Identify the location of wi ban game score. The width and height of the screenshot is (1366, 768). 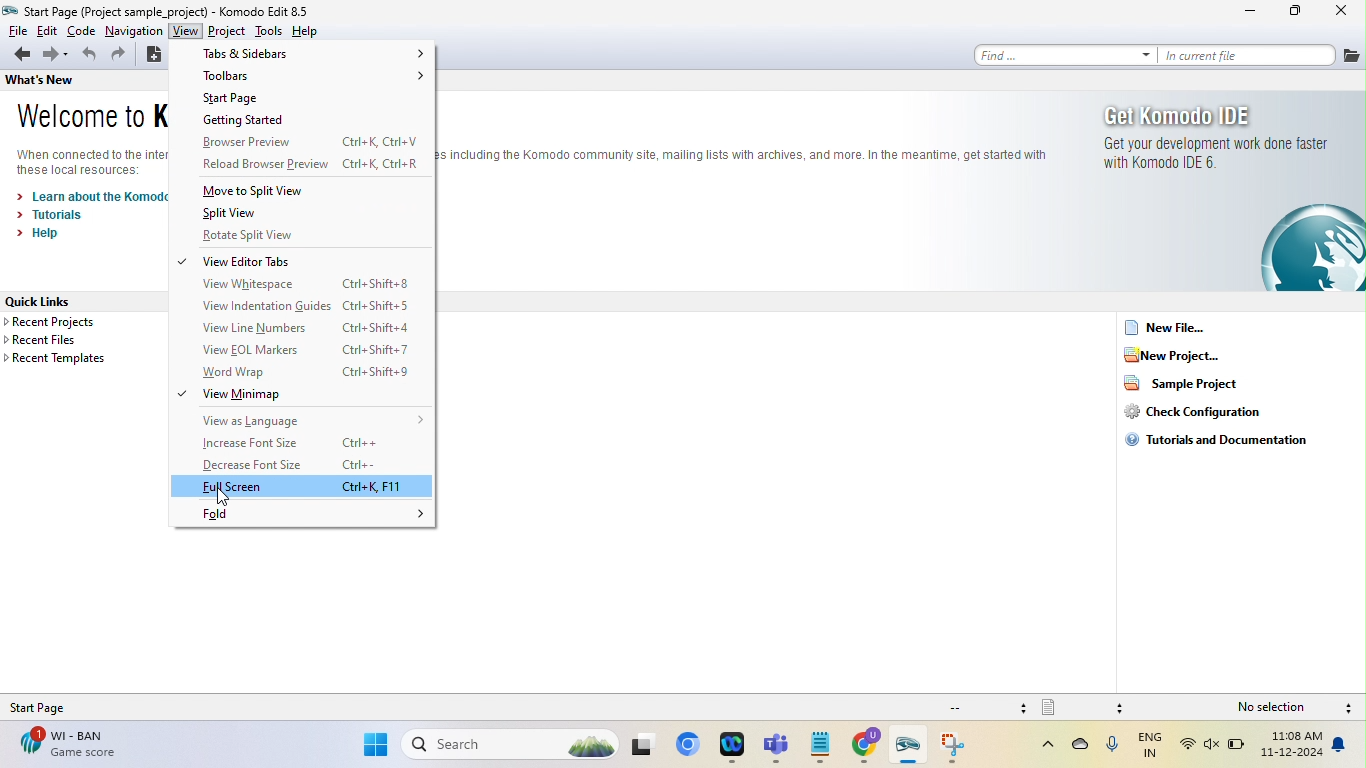
(65, 744).